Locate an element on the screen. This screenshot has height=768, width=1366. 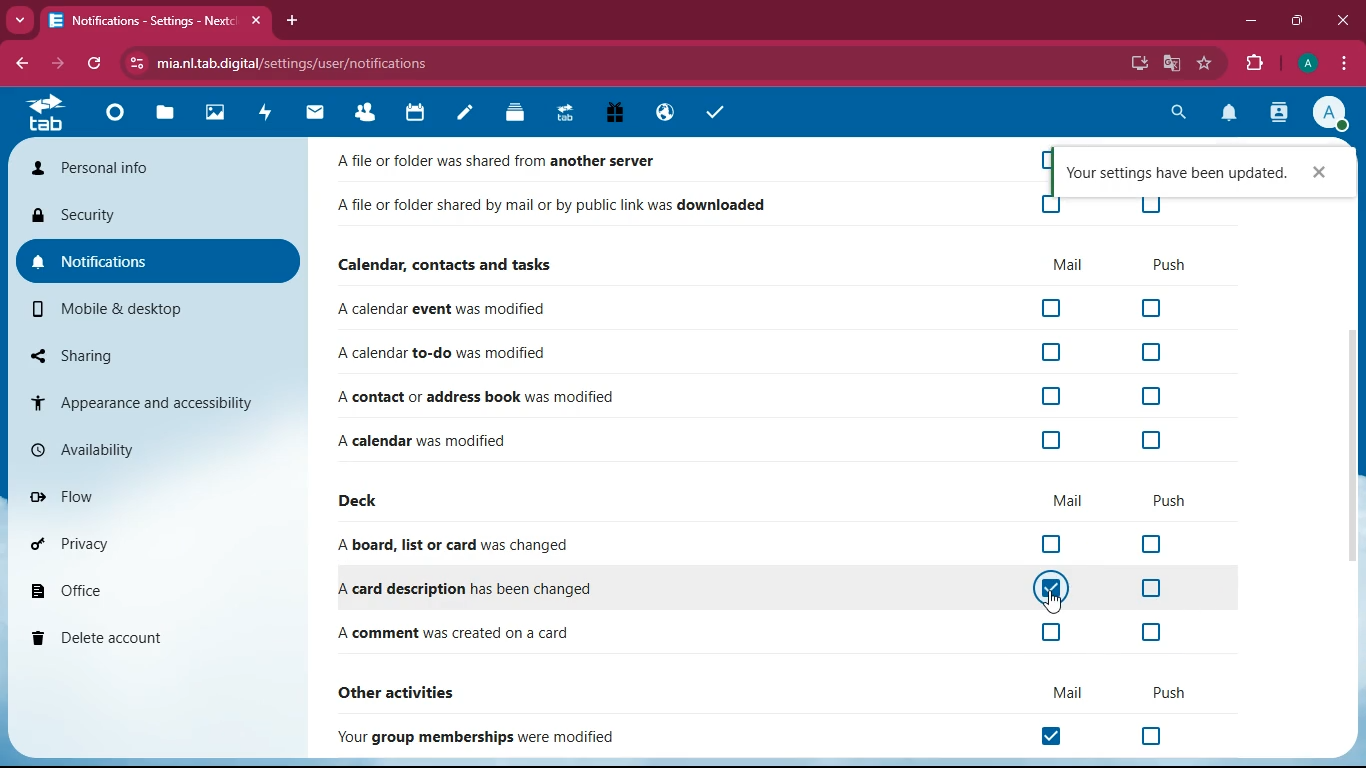
View site information is located at coordinates (133, 64).